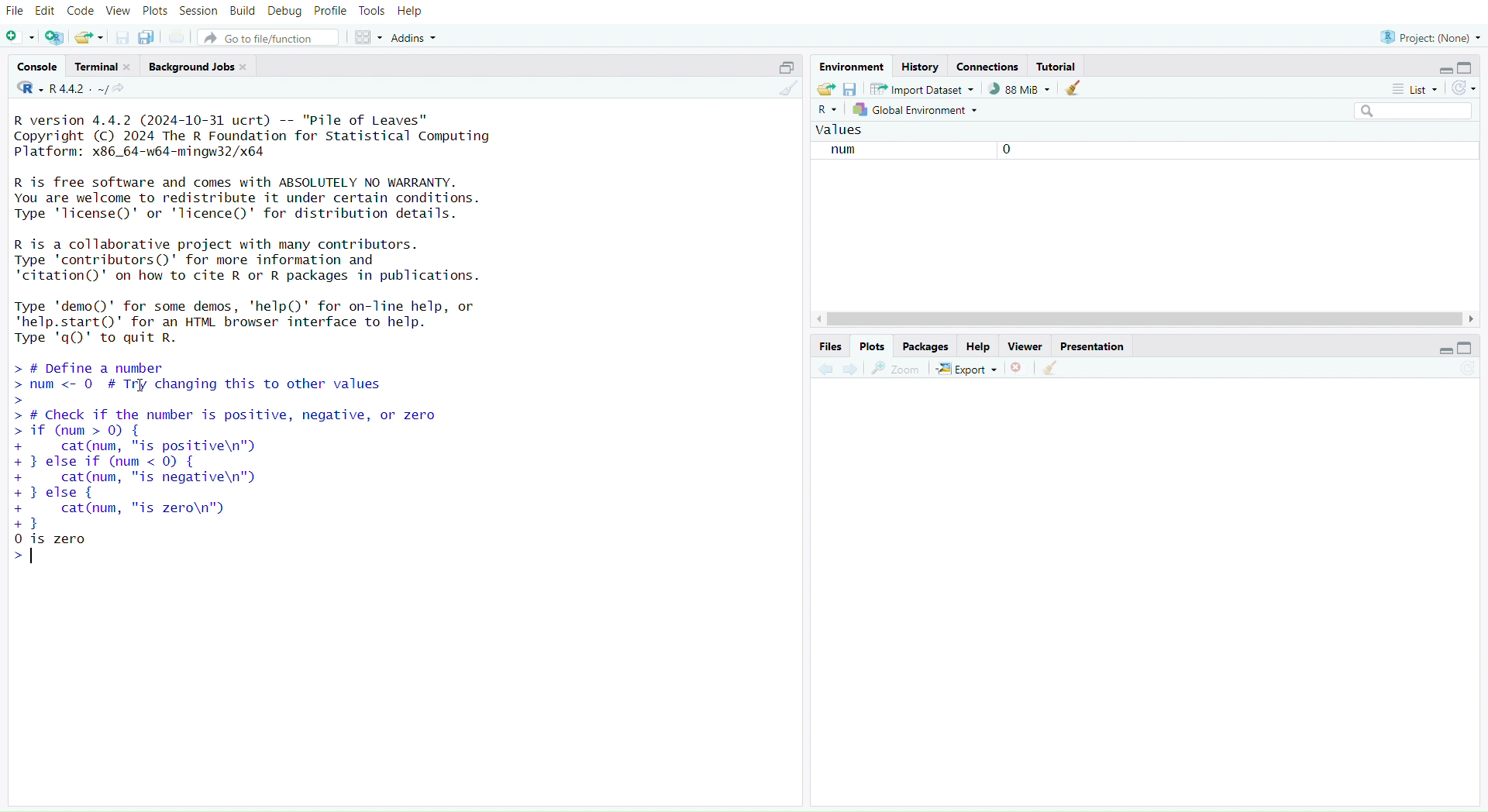  What do you see at coordinates (1466, 370) in the screenshot?
I see `refresh current plot` at bounding box center [1466, 370].